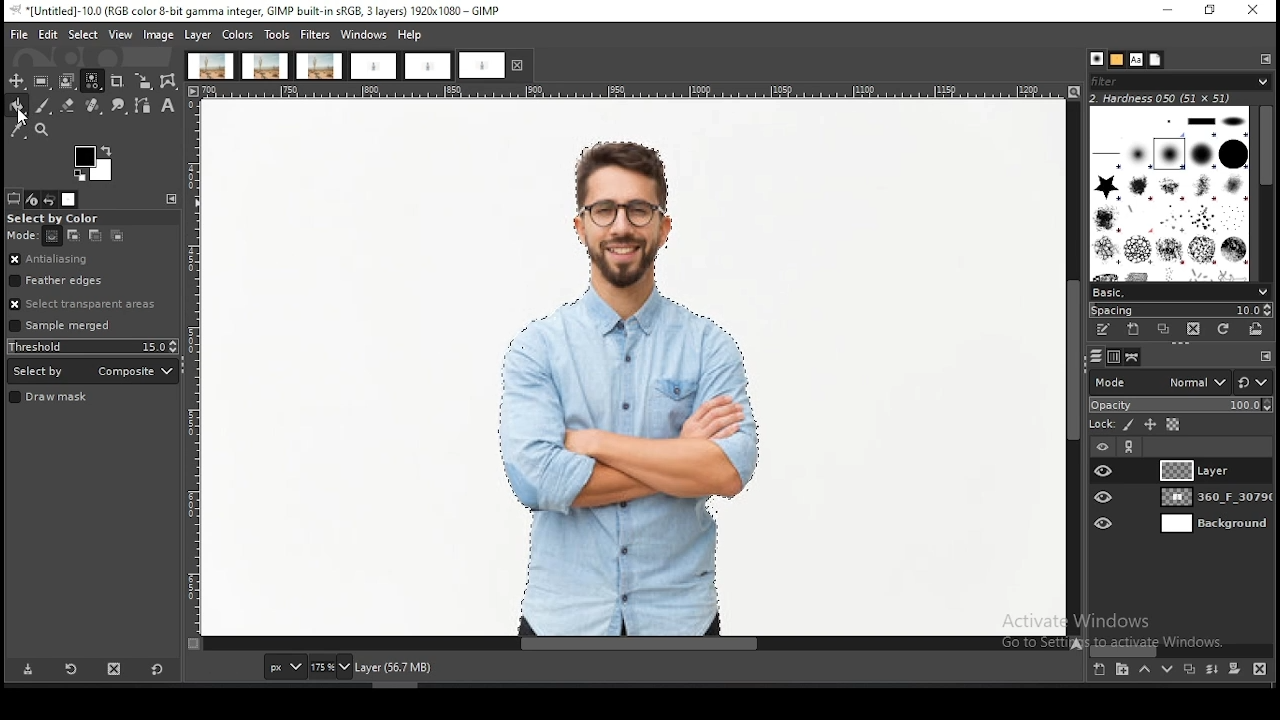 Image resolution: width=1280 pixels, height=720 pixels. I want to click on zoom status, so click(332, 668).